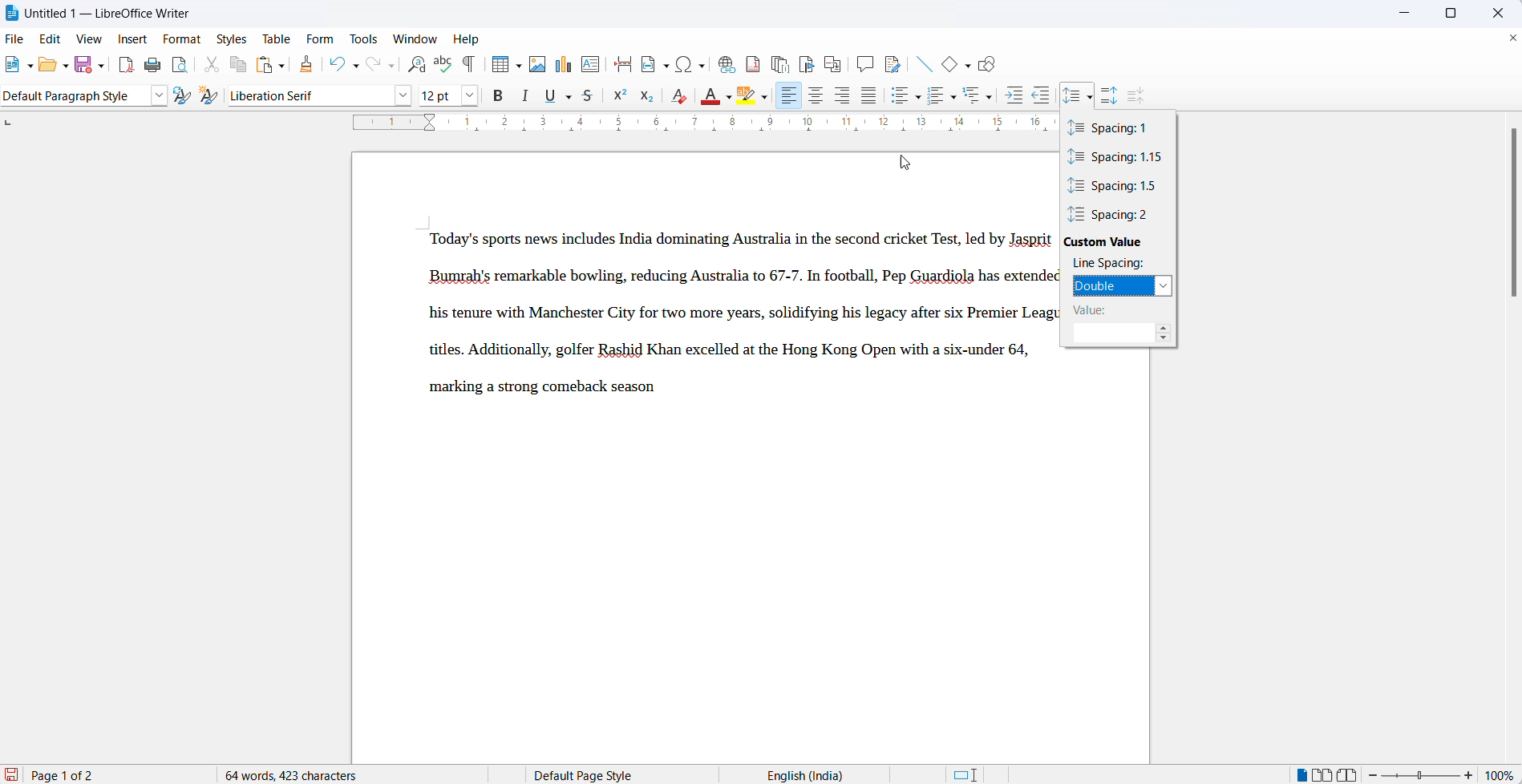 This screenshot has height=784, width=1522. I want to click on minimize, so click(1401, 15).